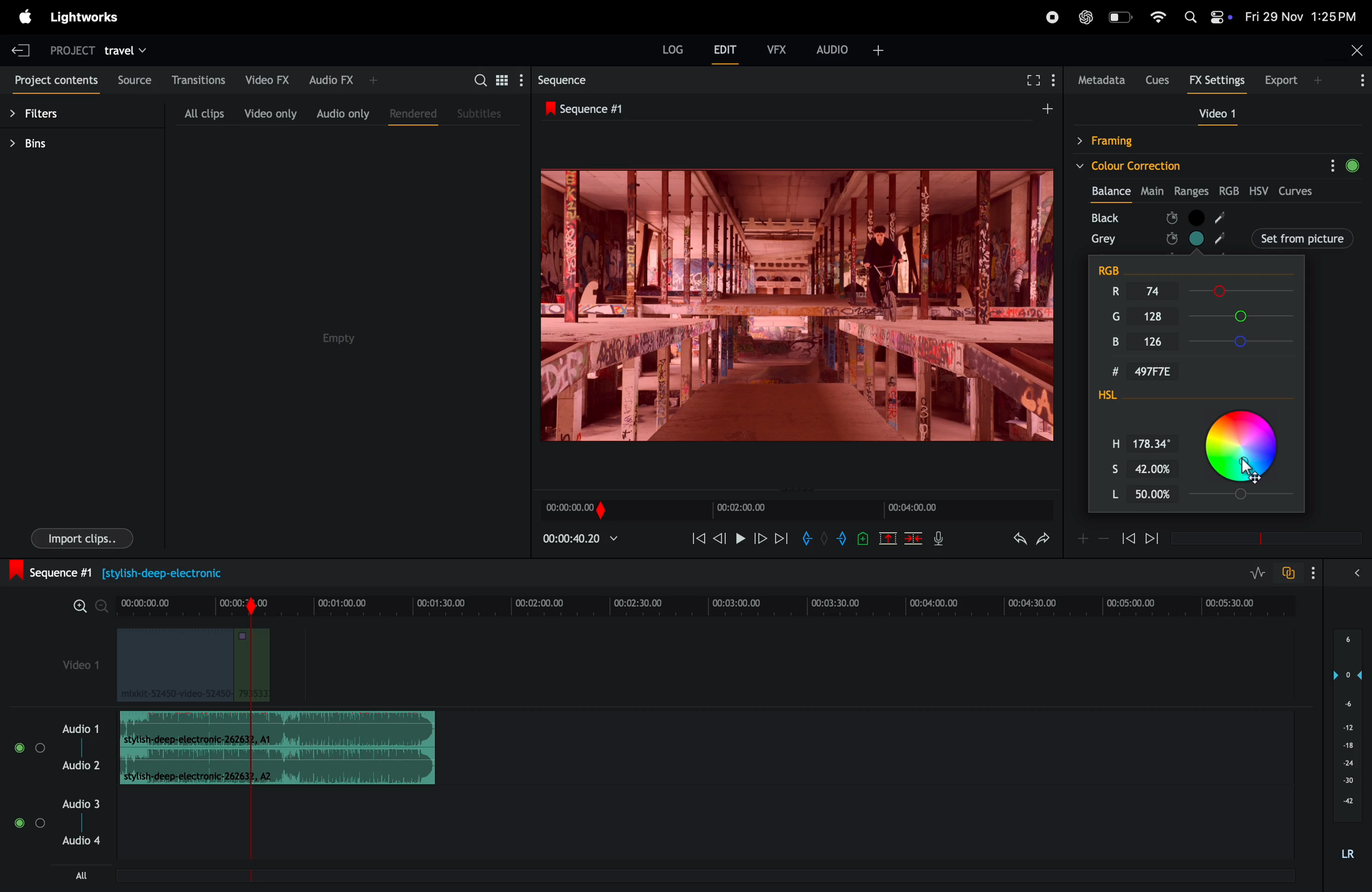 This screenshot has width=1372, height=892. What do you see at coordinates (1258, 237) in the screenshot?
I see `set from picture` at bounding box center [1258, 237].